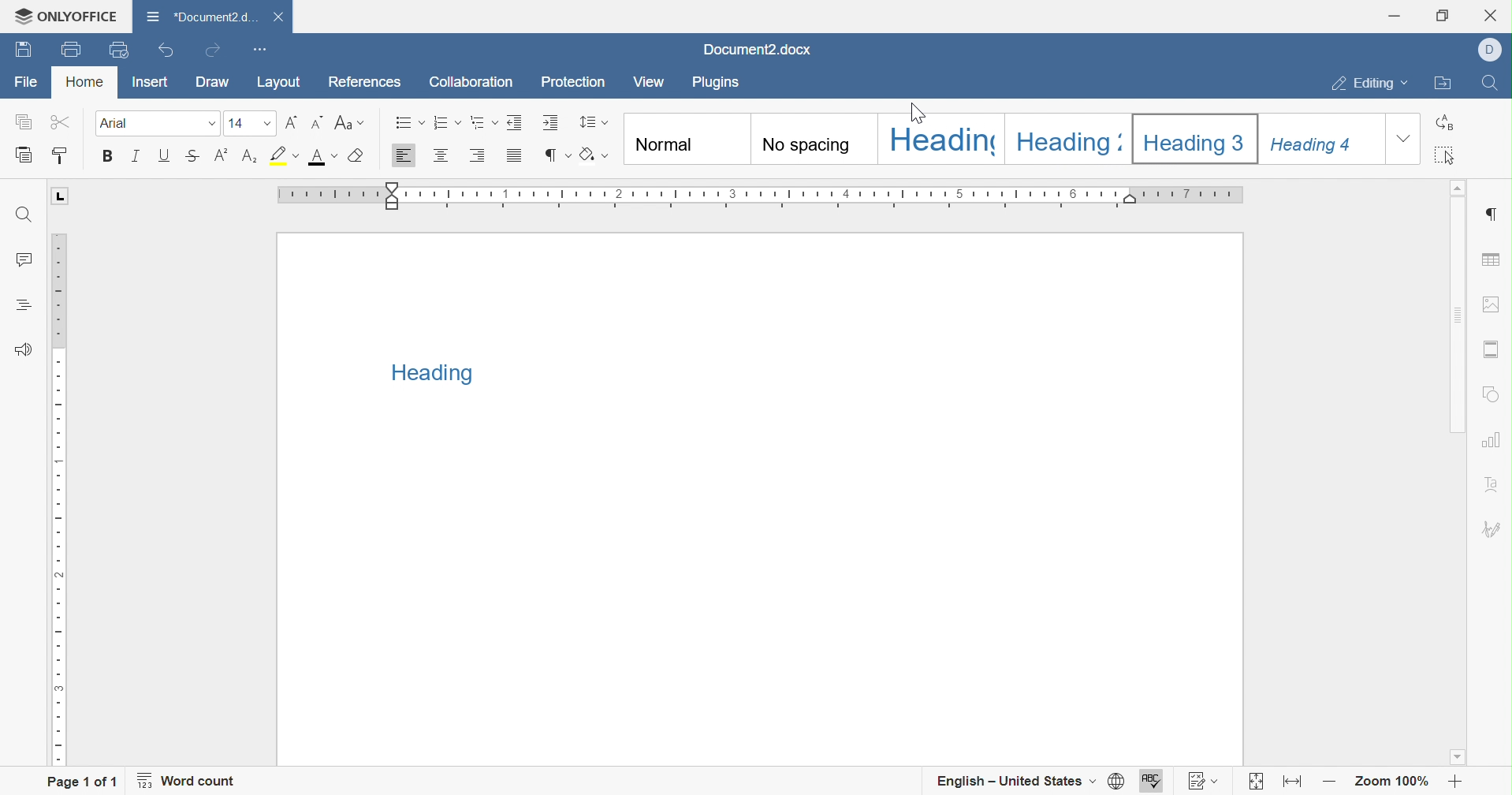 The image size is (1512, 795). Describe the element at coordinates (1200, 780) in the screenshot. I see `Track changes` at that location.